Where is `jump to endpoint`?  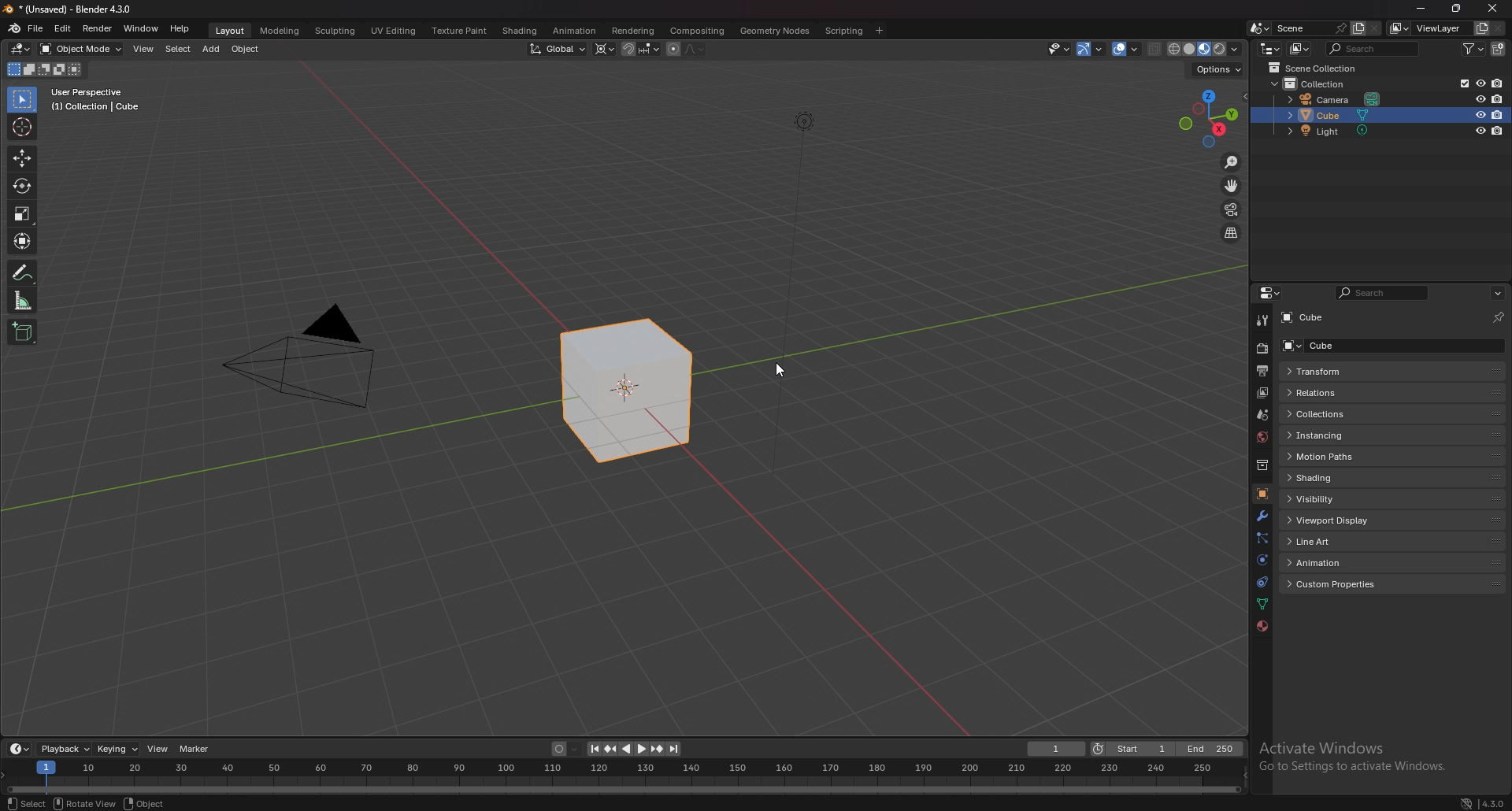
jump to endpoint is located at coordinates (676, 749).